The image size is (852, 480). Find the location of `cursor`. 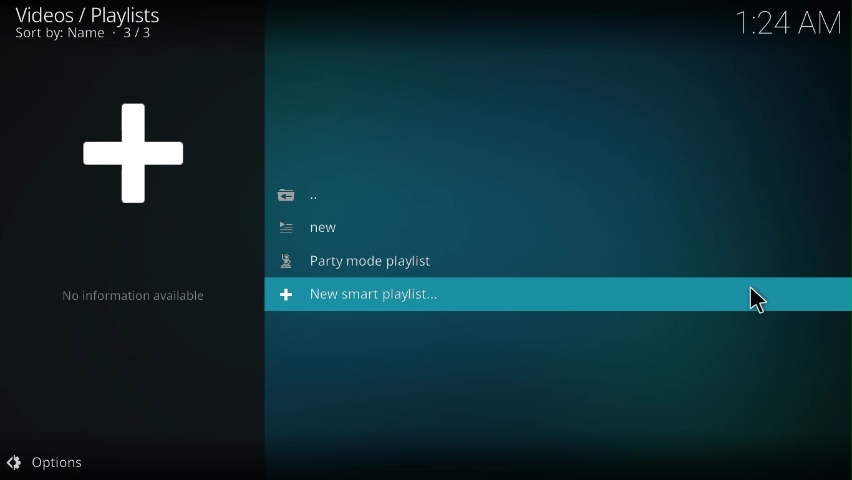

cursor is located at coordinates (759, 300).